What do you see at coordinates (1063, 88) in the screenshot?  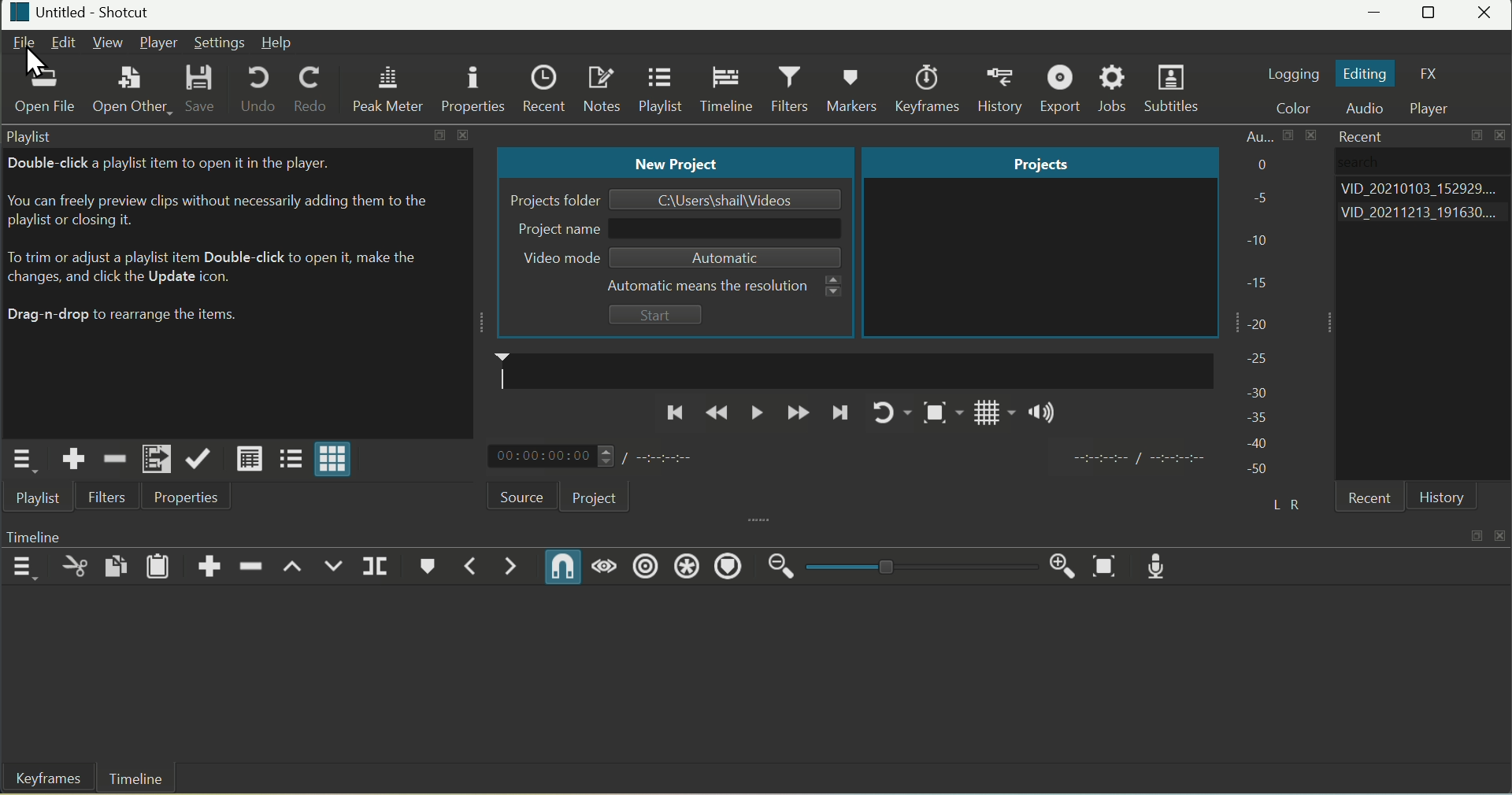 I see `Export` at bounding box center [1063, 88].